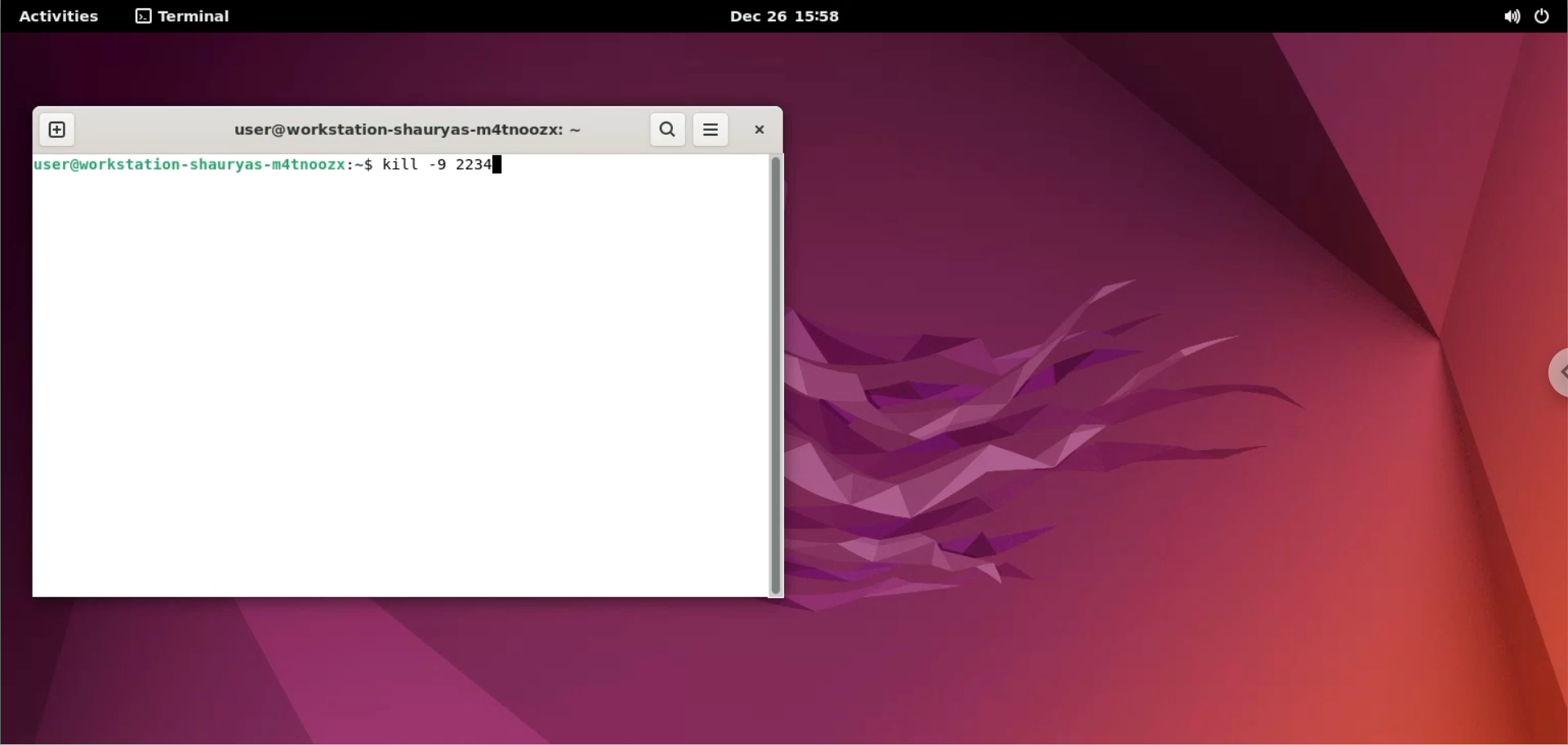  What do you see at coordinates (207, 165) in the screenshot?
I see `user@workstation-shauryas-m4tnoozx:~$` at bounding box center [207, 165].